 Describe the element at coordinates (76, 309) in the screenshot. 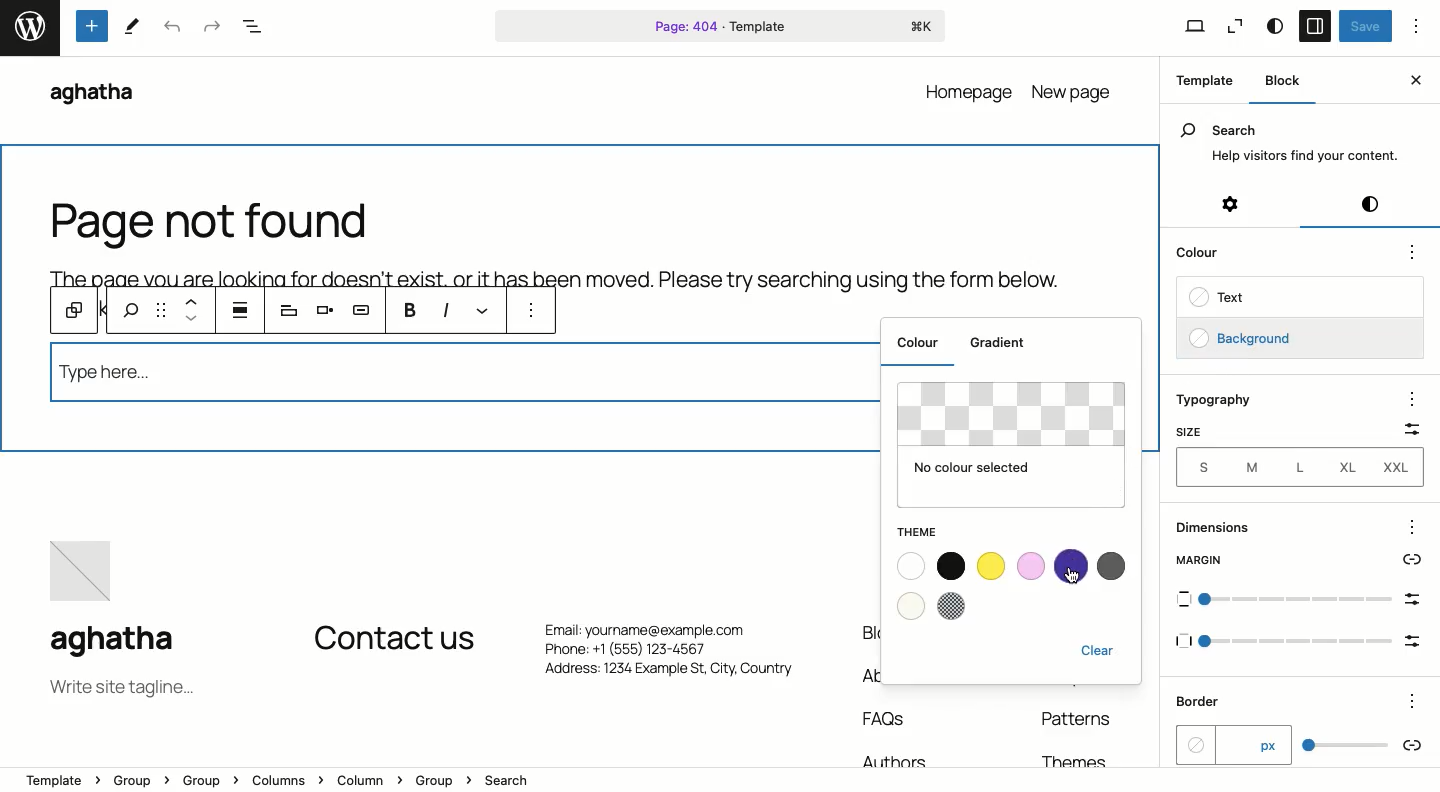

I see `Block` at that location.